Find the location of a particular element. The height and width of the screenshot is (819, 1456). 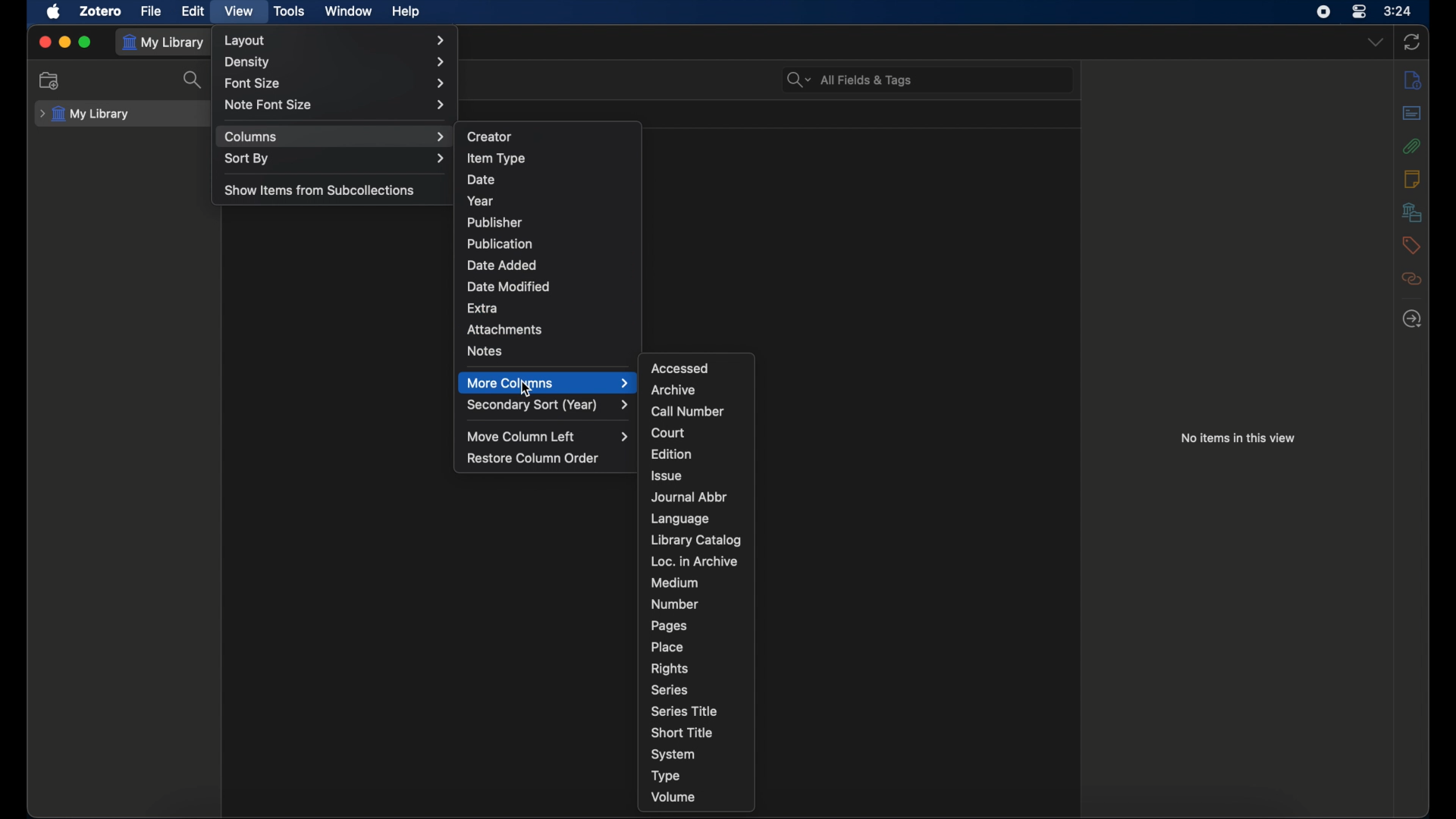

font size is located at coordinates (338, 84).